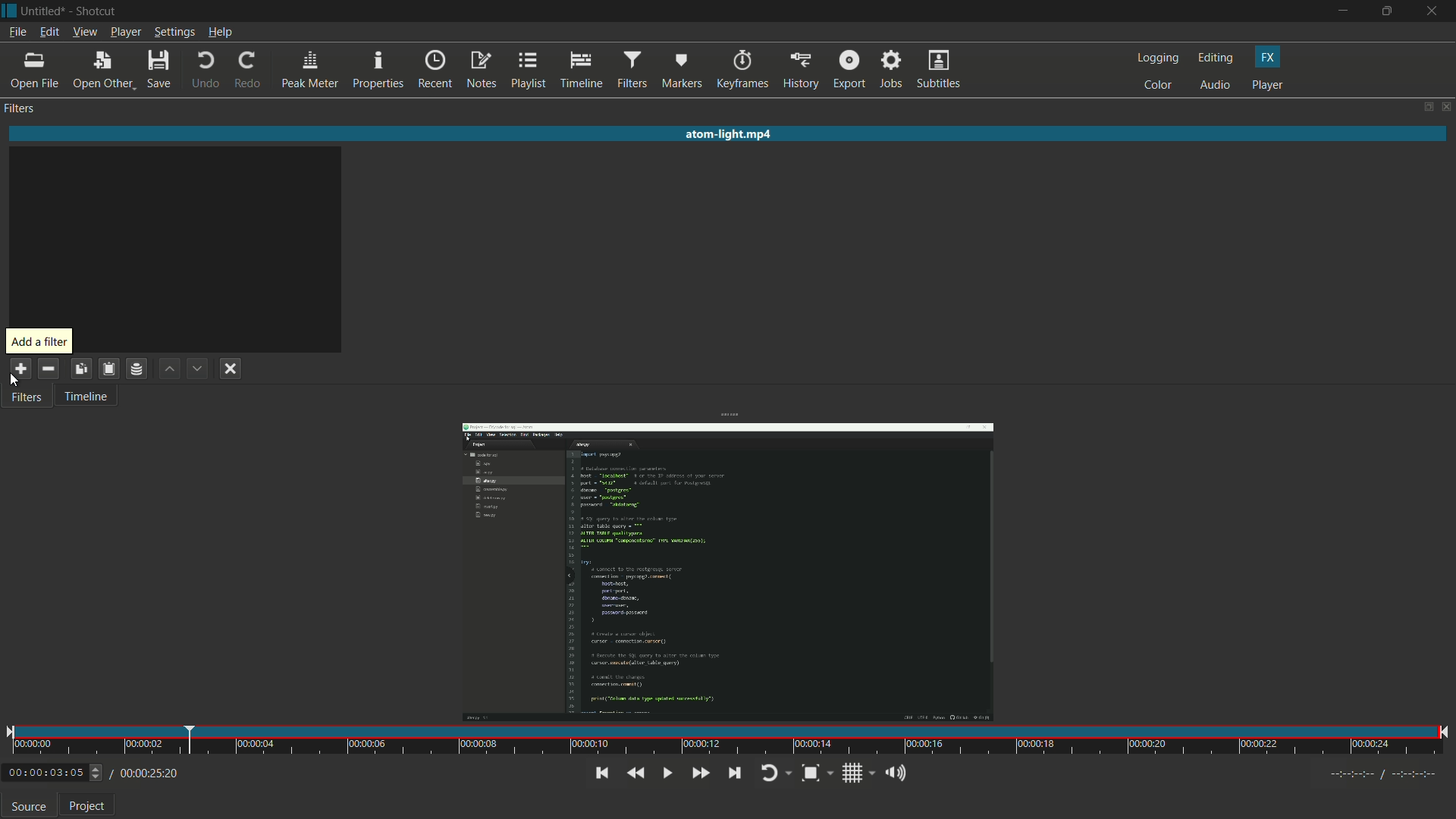 The image size is (1456, 819). Describe the element at coordinates (632, 71) in the screenshot. I see `filters` at that location.